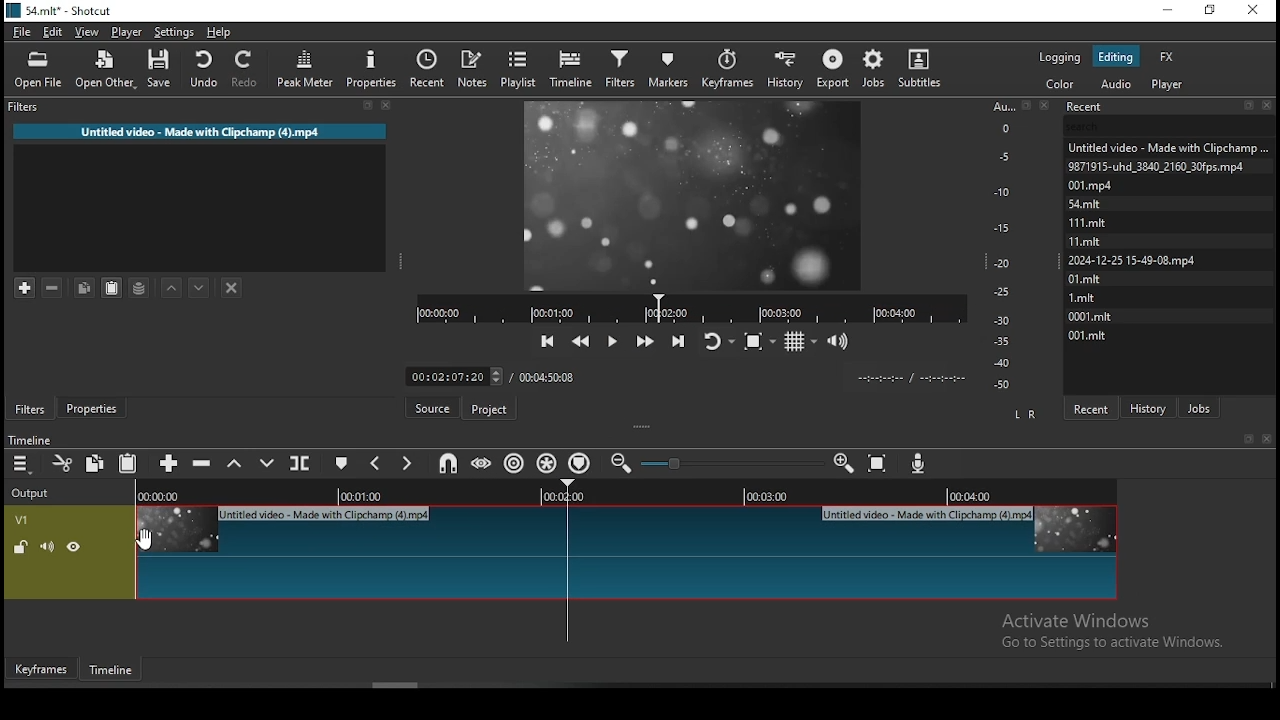  Describe the element at coordinates (1167, 12) in the screenshot. I see `minimize` at that location.